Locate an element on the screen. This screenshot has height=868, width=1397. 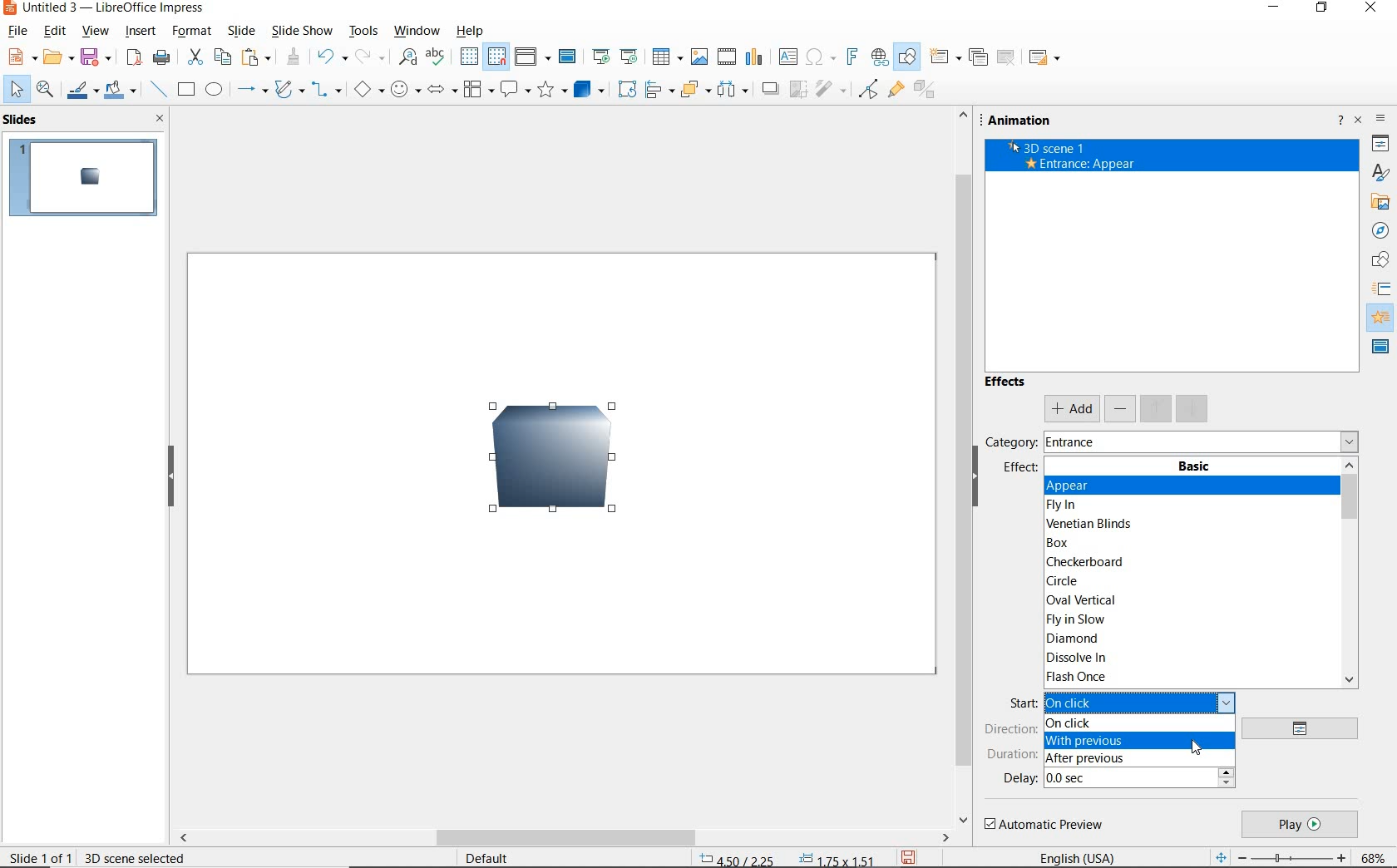
automatic preview is located at coordinates (1045, 825).